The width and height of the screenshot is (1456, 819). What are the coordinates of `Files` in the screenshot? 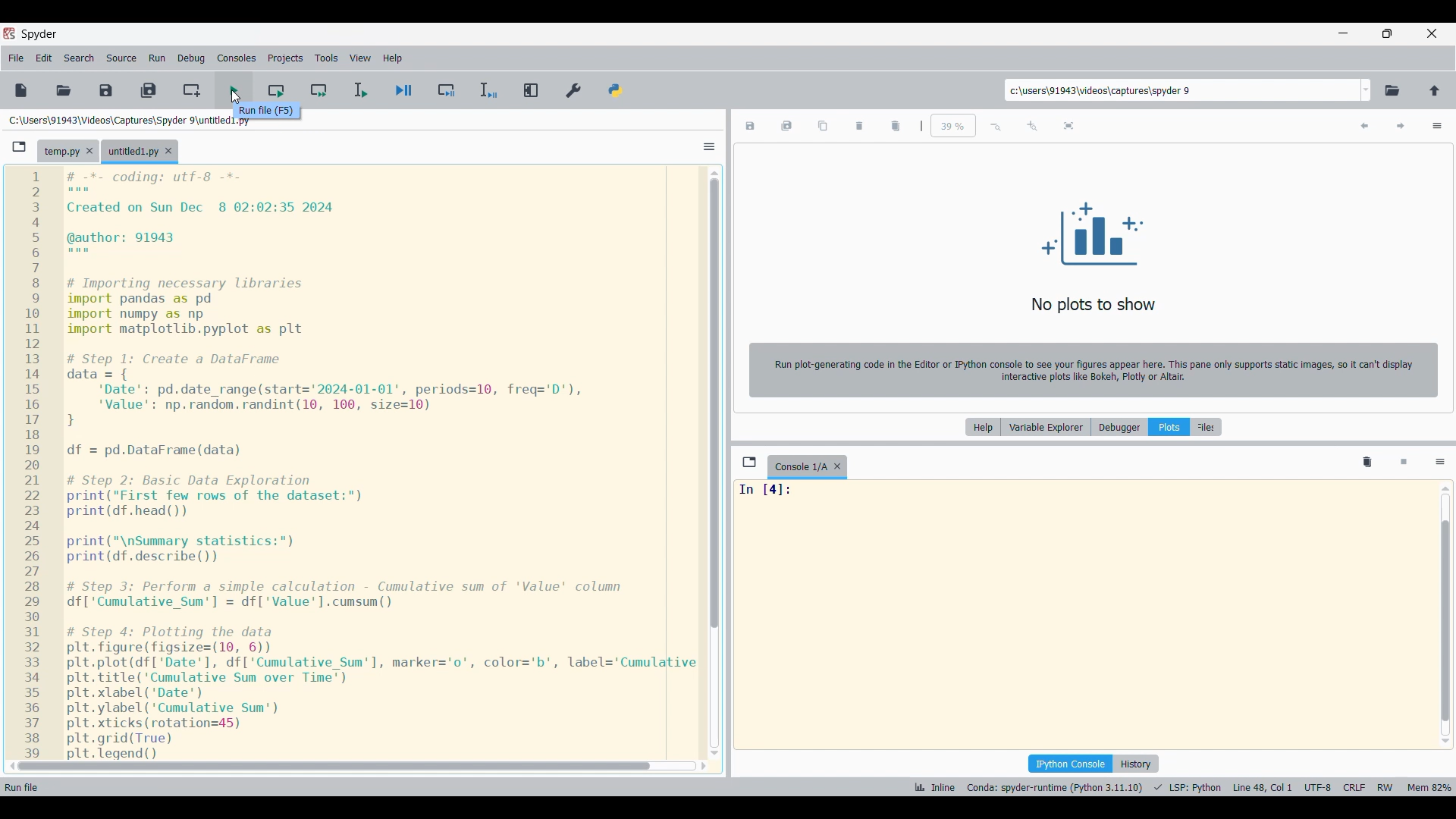 It's located at (1209, 427).